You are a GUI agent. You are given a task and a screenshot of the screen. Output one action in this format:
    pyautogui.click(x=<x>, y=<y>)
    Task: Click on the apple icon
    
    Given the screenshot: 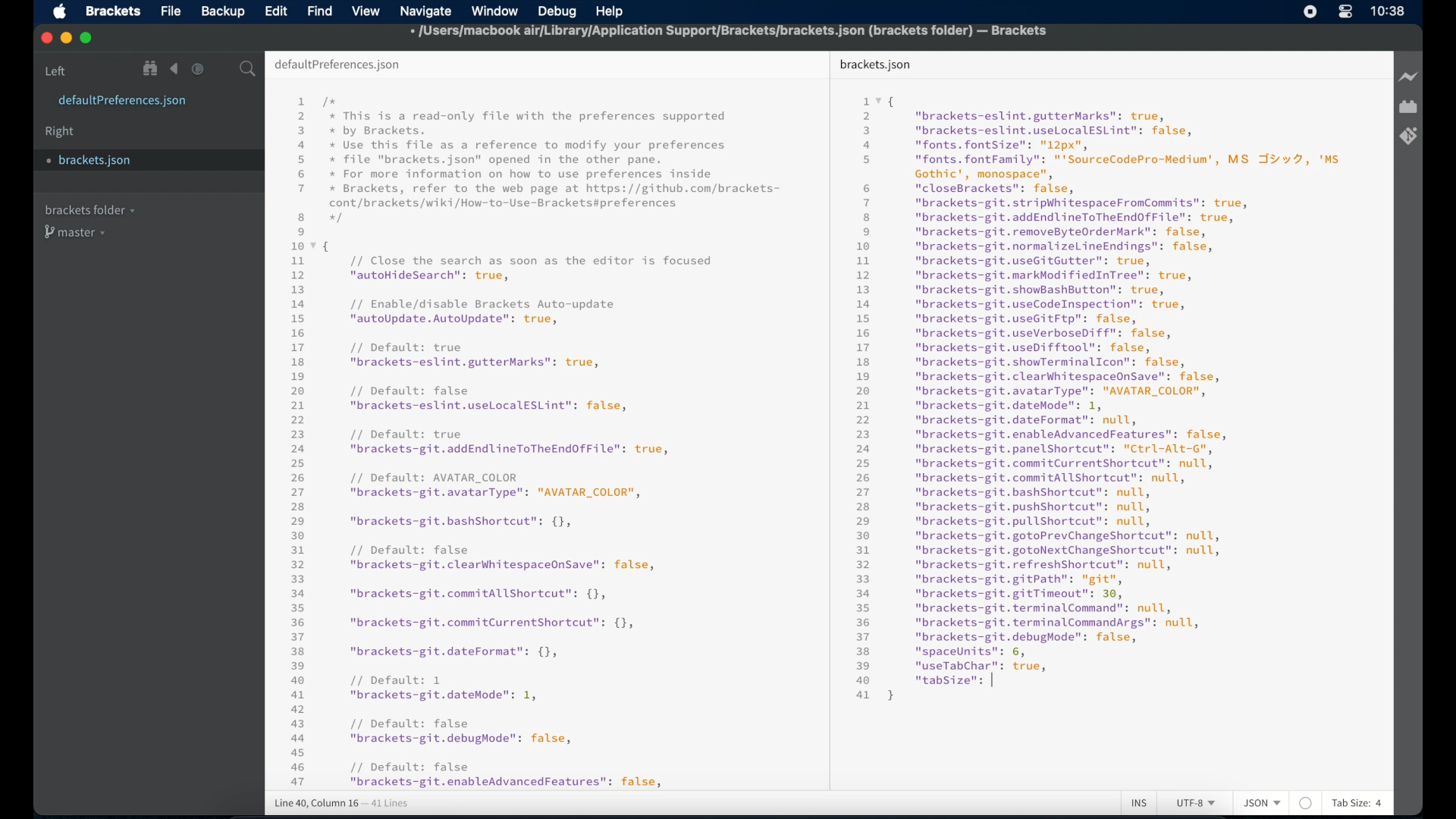 What is the action you would take?
    pyautogui.click(x=61, y=12)
    